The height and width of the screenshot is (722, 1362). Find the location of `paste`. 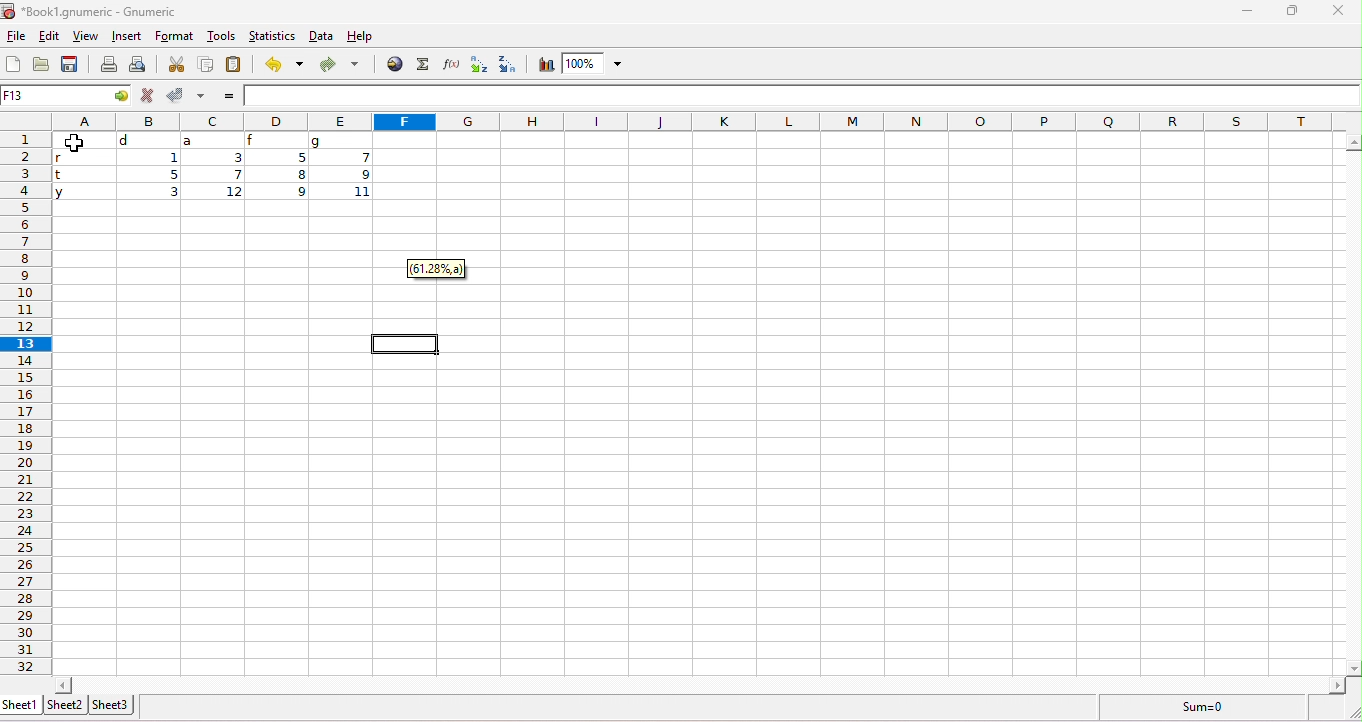

paste is located at coordinates (234, 63).